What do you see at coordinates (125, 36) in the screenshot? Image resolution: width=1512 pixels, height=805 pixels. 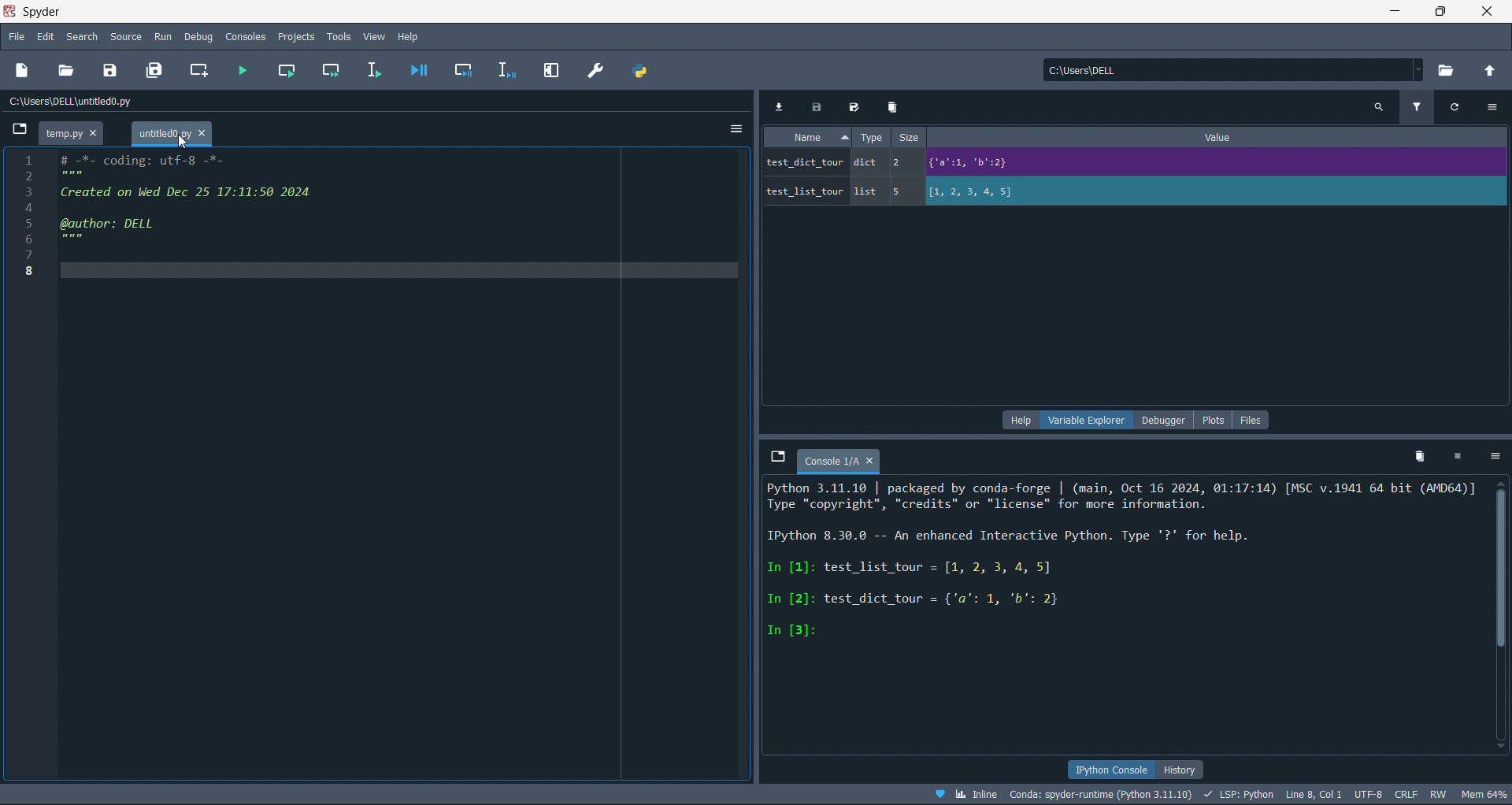 I see `source` at bounding box center [125, 36].